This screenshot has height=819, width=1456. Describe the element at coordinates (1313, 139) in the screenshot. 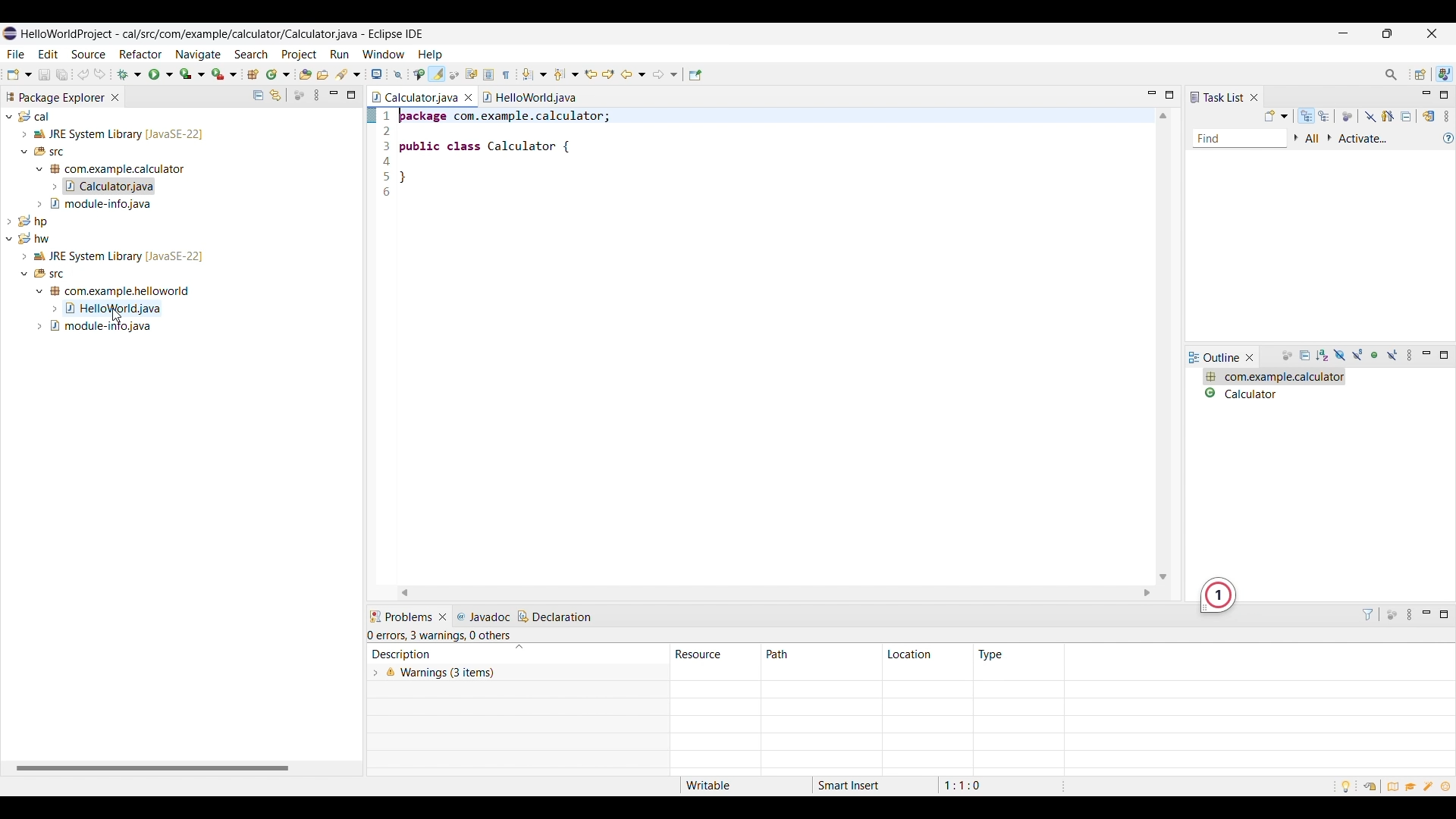

I see `Edit task working sets` at that location.